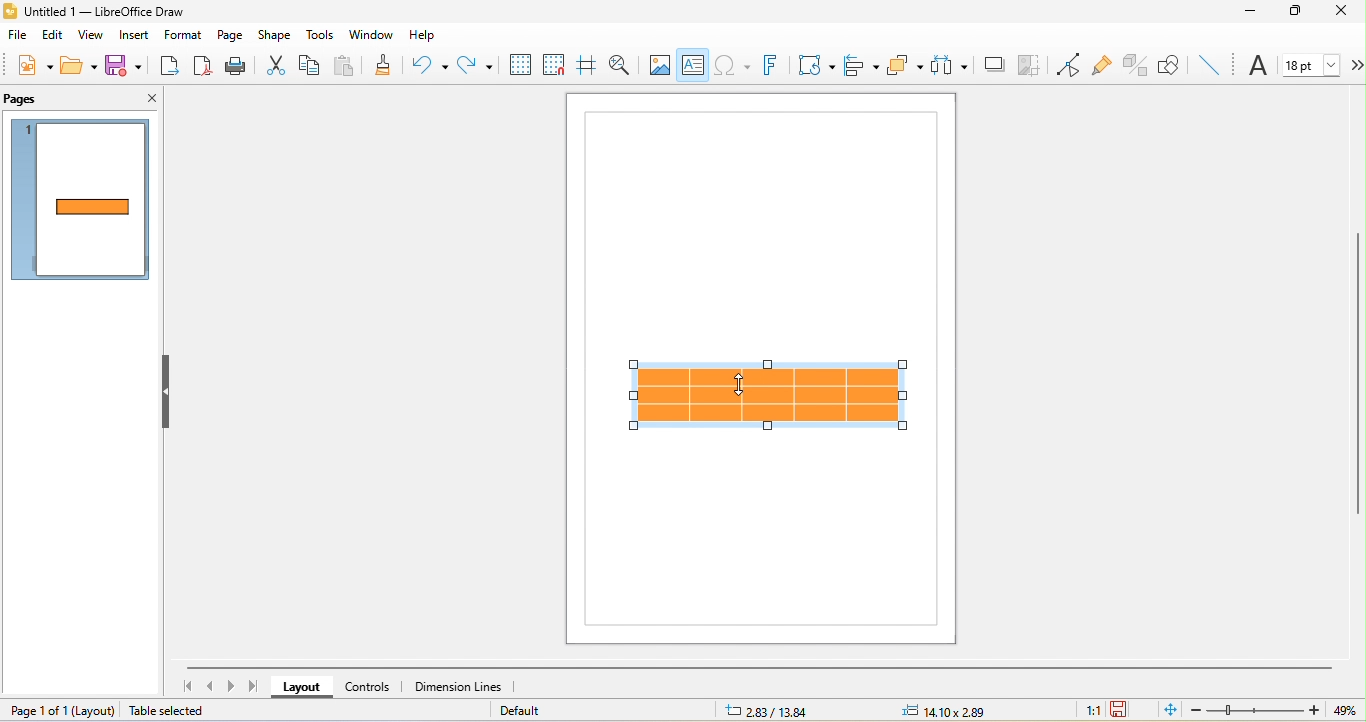 The width and height of the screenshot is (1366, 722). I want to click on 1:1, so click(1083, 710).